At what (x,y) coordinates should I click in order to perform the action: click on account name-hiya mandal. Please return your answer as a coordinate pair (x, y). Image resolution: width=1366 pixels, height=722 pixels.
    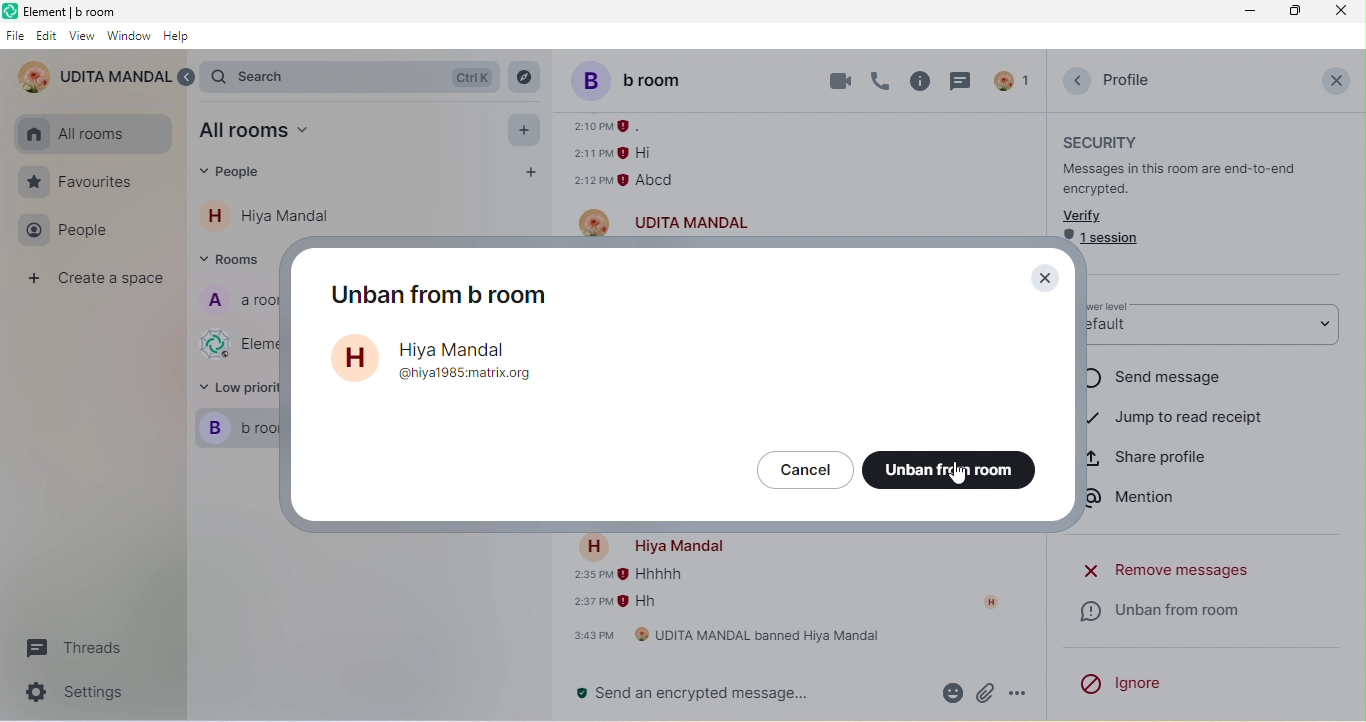
    Looking at the image, I should click on (426, 347).